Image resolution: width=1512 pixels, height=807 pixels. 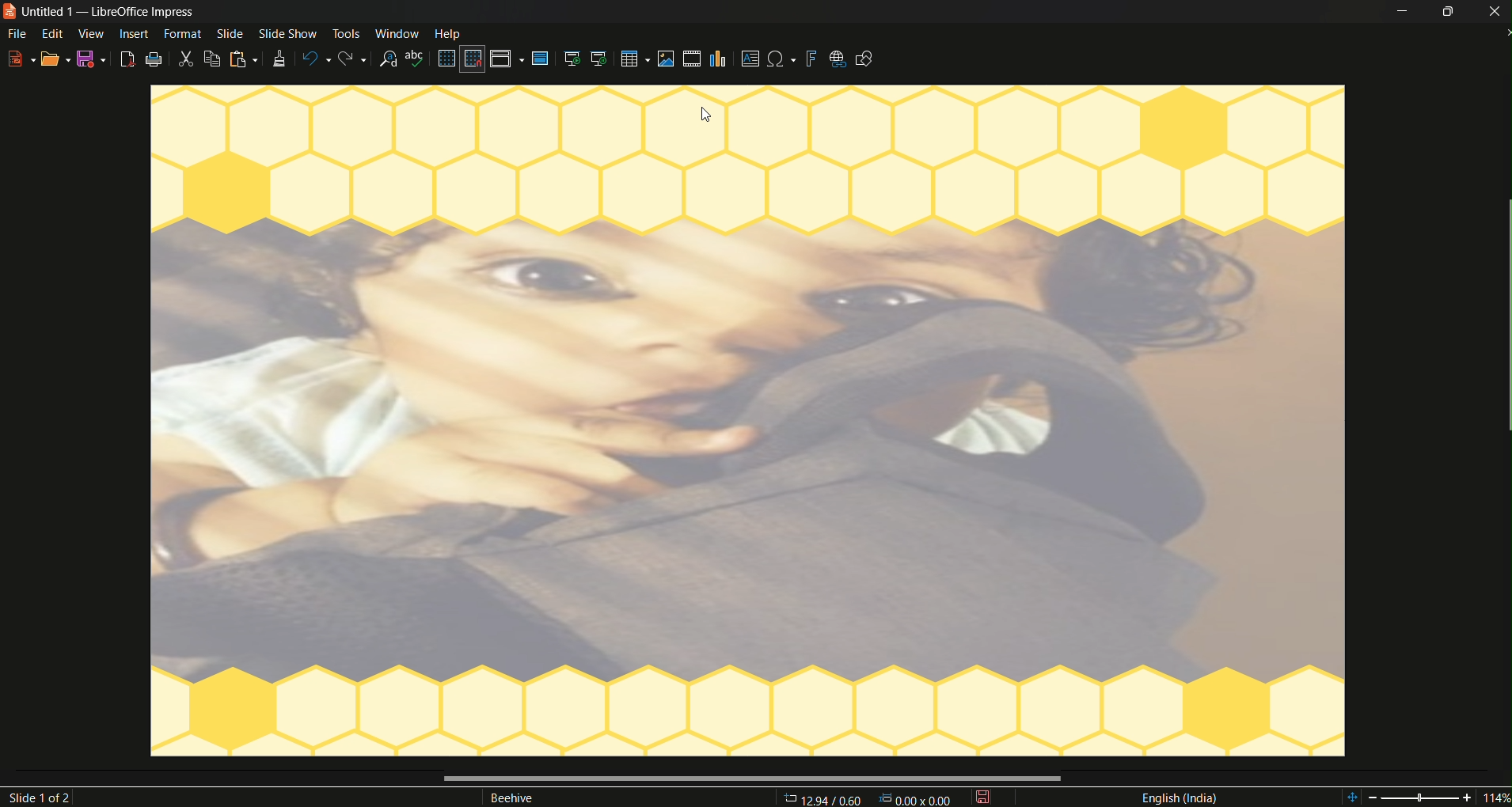 I want to click on insert chart, so click(x=720, y=59).